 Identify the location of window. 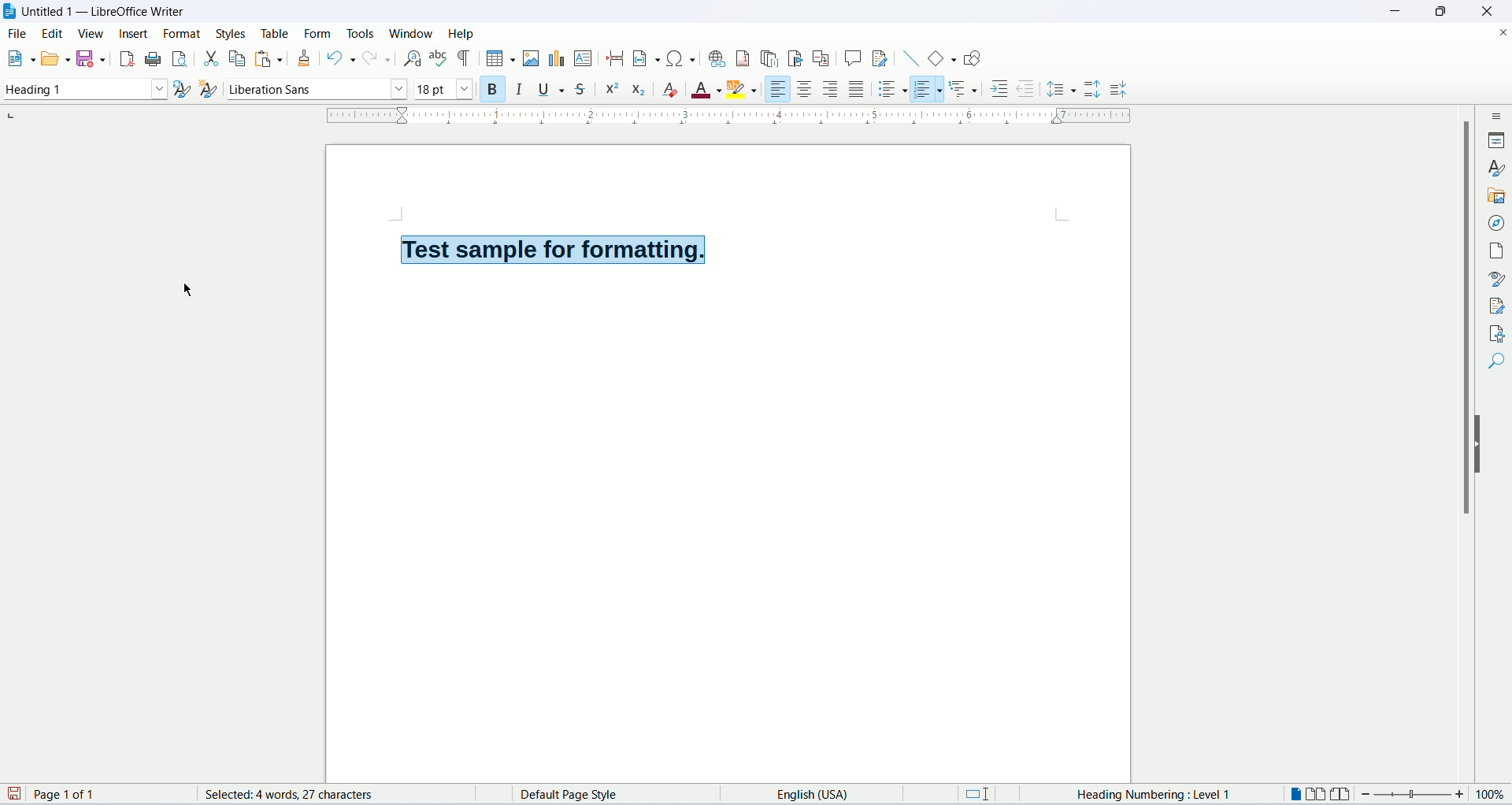
(412, 33).